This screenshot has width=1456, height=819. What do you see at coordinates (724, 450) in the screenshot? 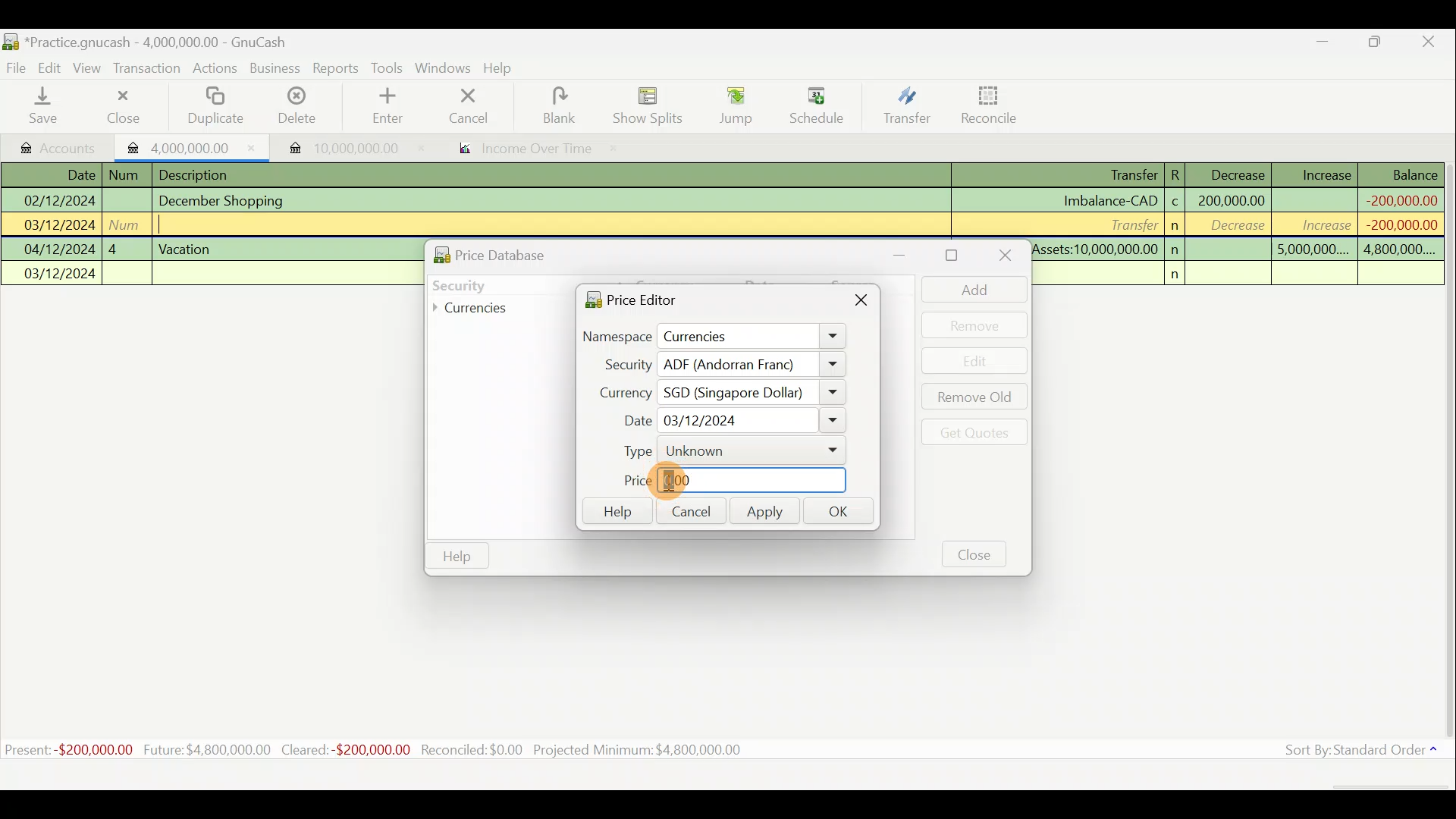
I see `Type` at bounding box center [724, 450].